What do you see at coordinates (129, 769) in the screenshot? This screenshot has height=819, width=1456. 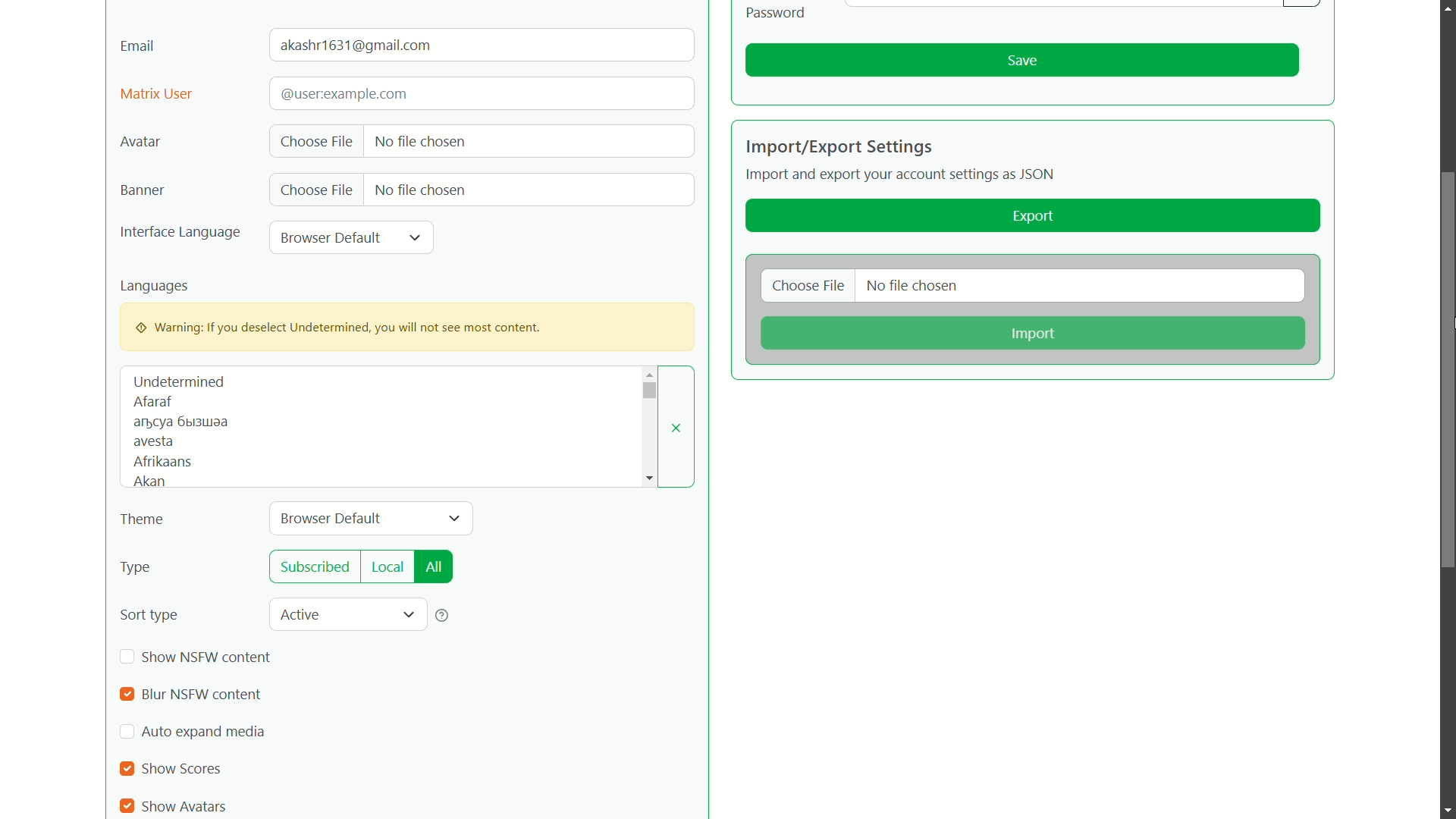 I see `checkbox` at bounding box center [129, 769].